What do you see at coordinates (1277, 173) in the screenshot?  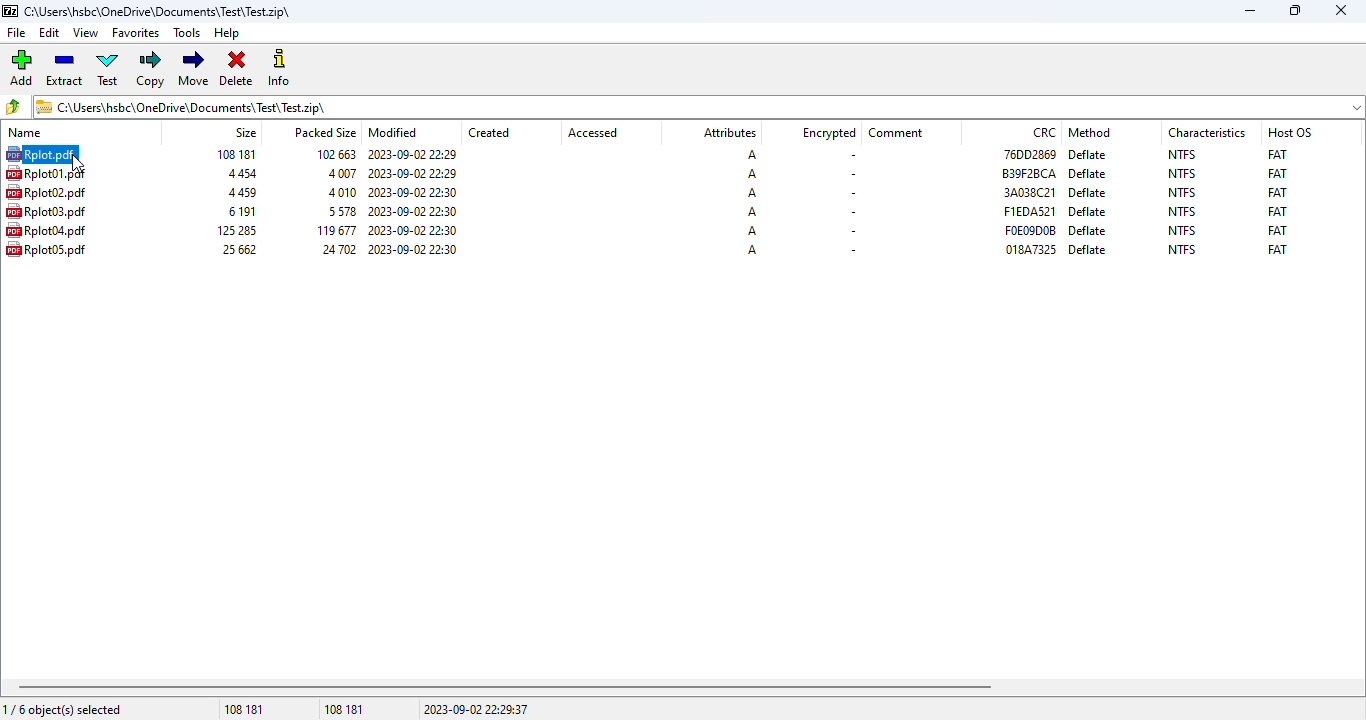 I see `FAT` at bounding box center [1277, 173].